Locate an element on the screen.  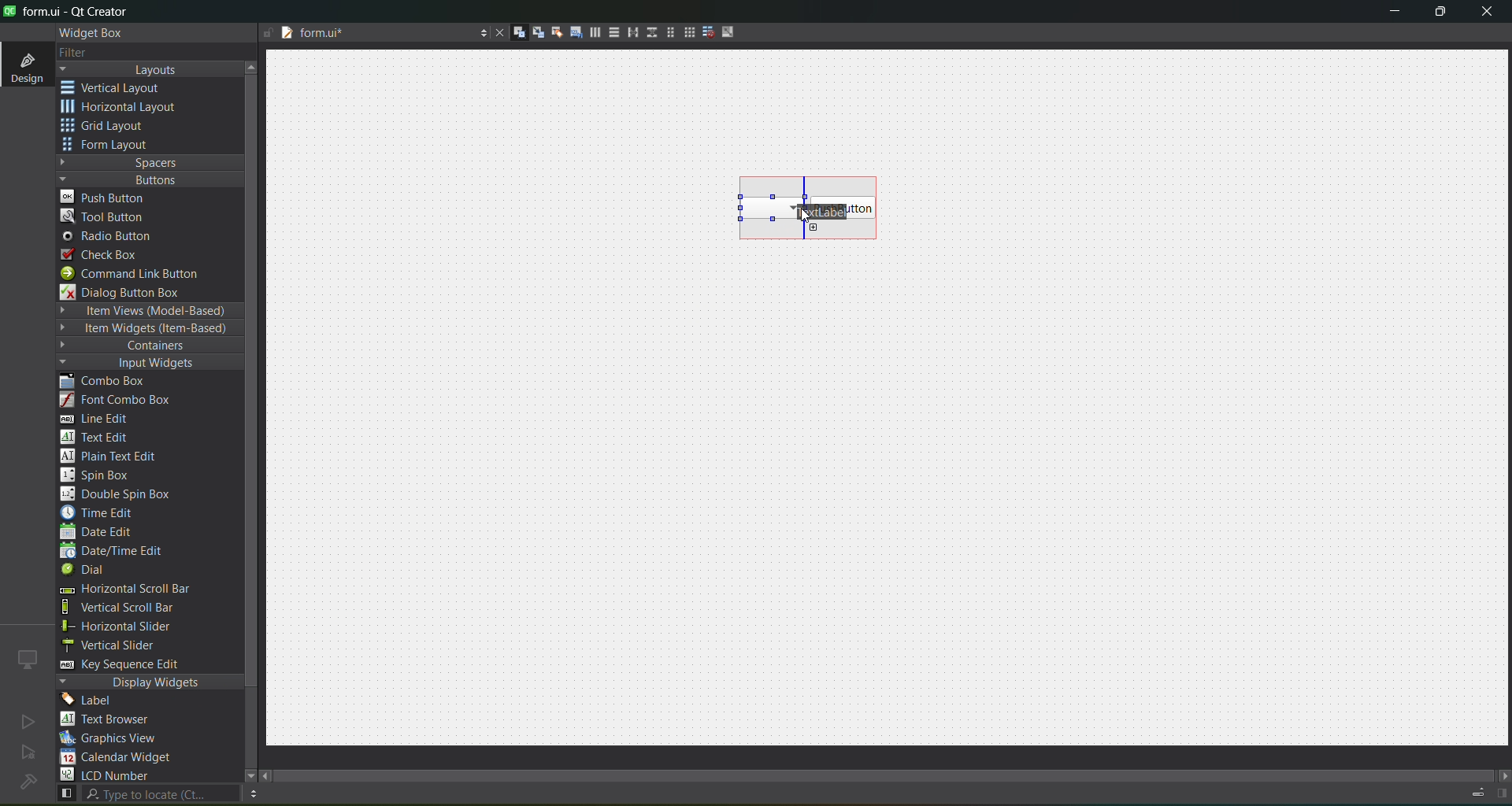
push is located at coordinates (105, 196).